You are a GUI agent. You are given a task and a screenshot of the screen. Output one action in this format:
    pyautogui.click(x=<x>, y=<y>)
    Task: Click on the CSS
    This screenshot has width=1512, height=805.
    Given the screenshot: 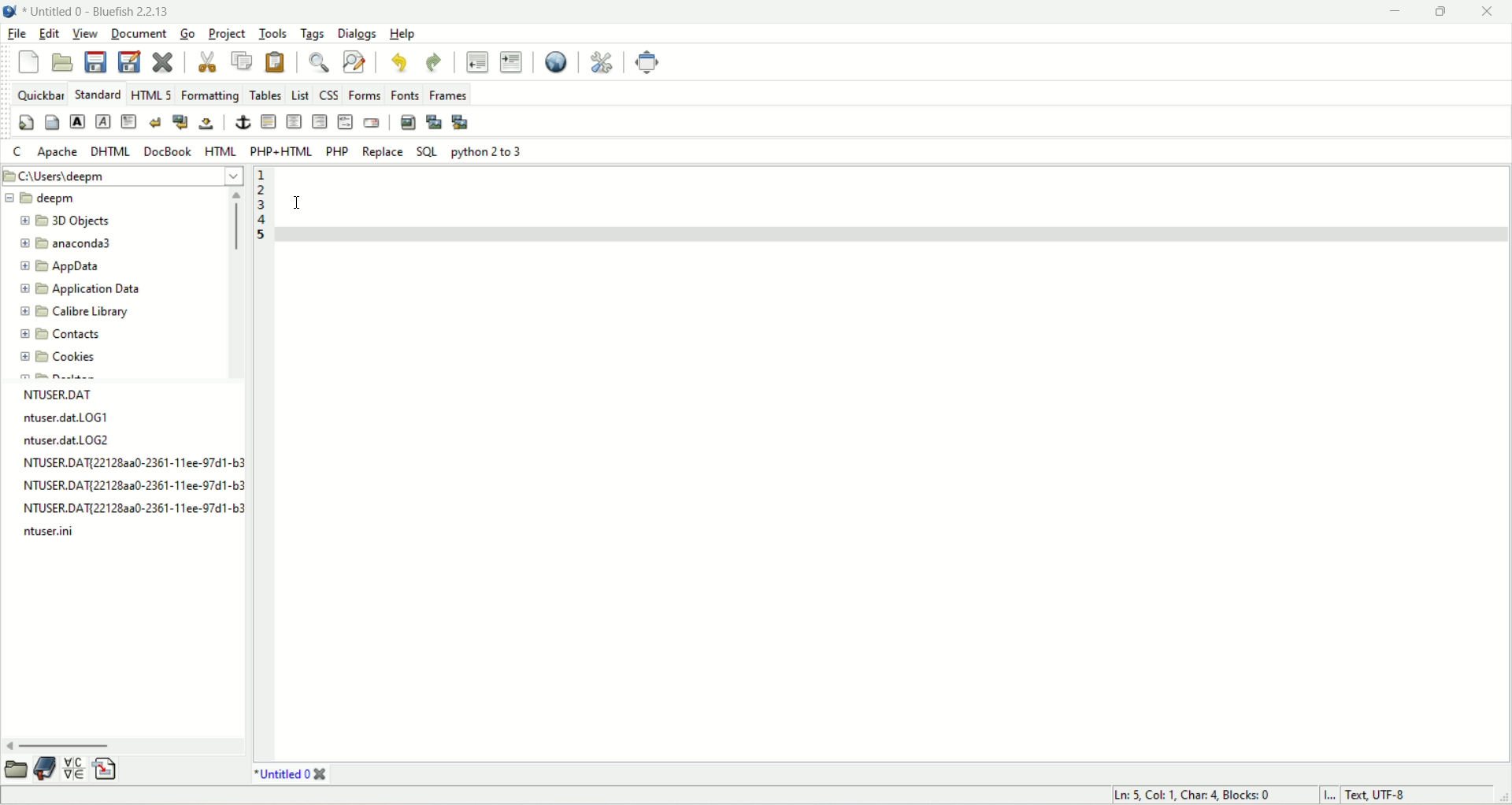 What is the action you would take?
    pyautogui.click(x=330, y=95)
    